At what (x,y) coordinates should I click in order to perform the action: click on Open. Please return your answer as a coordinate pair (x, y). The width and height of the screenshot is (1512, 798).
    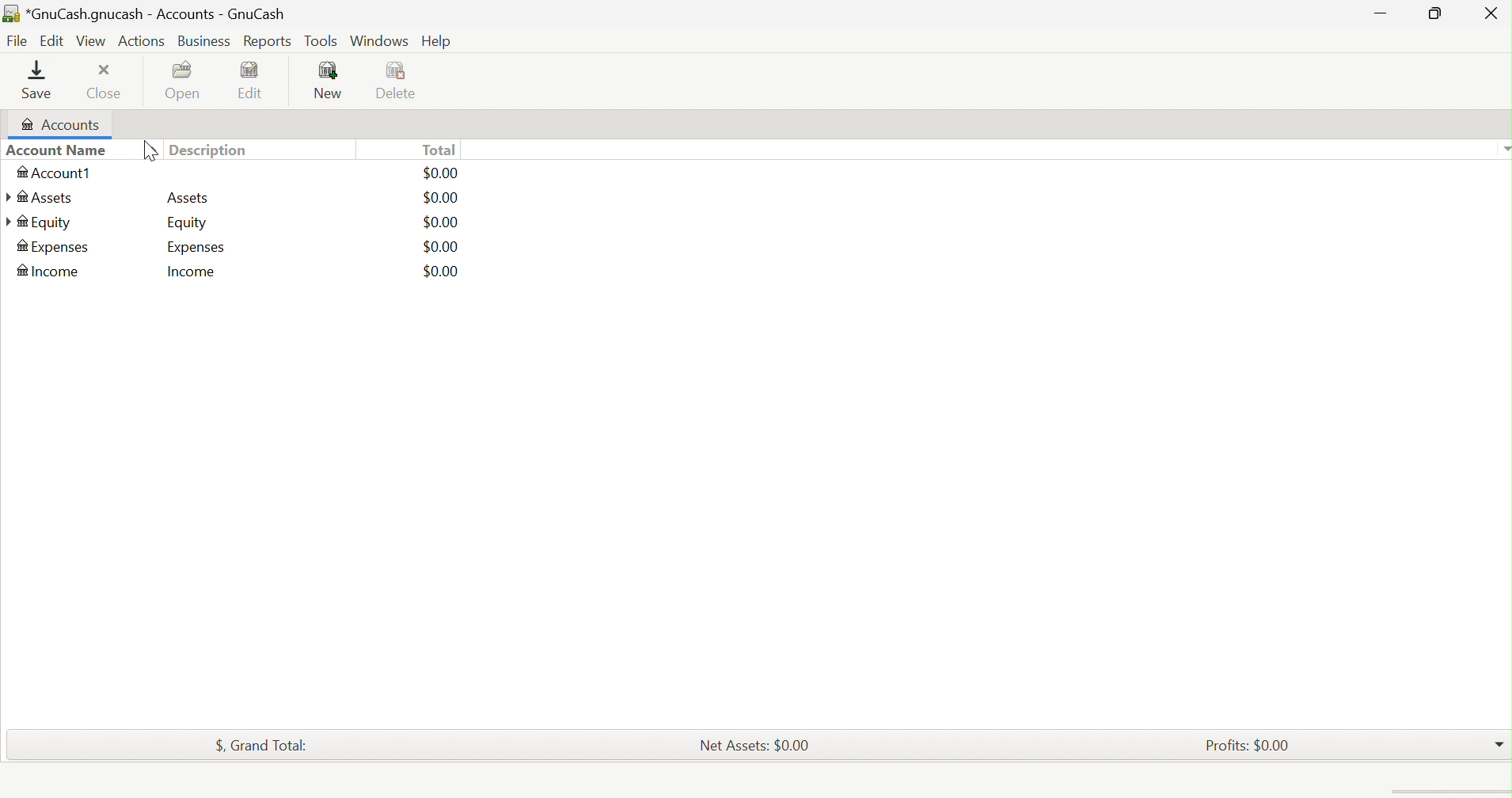
    Looking at the image, I should click on (186, 81).